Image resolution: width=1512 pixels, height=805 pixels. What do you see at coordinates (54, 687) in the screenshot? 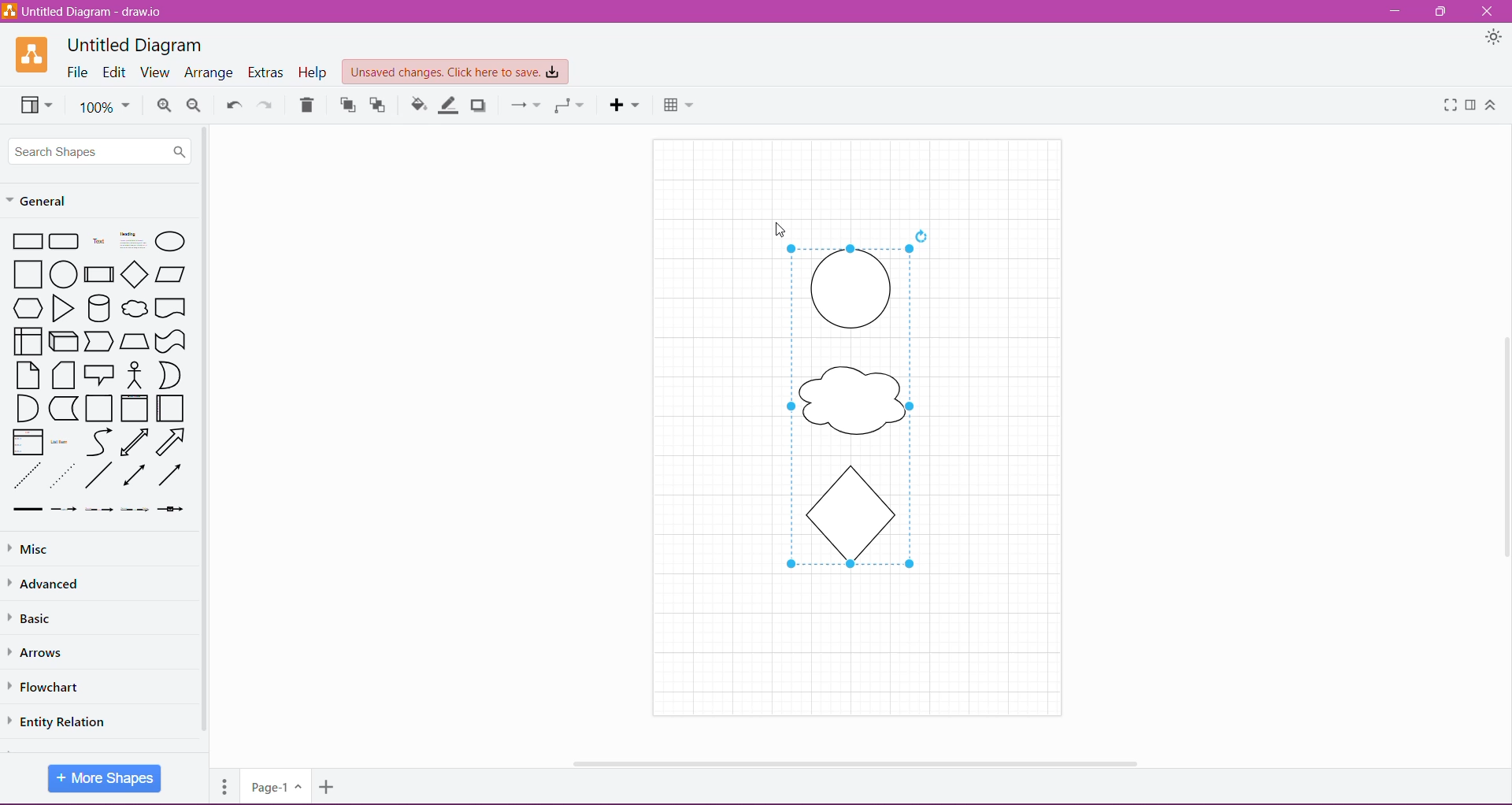
I see `Flowchart` at bounding box center [54, 687].